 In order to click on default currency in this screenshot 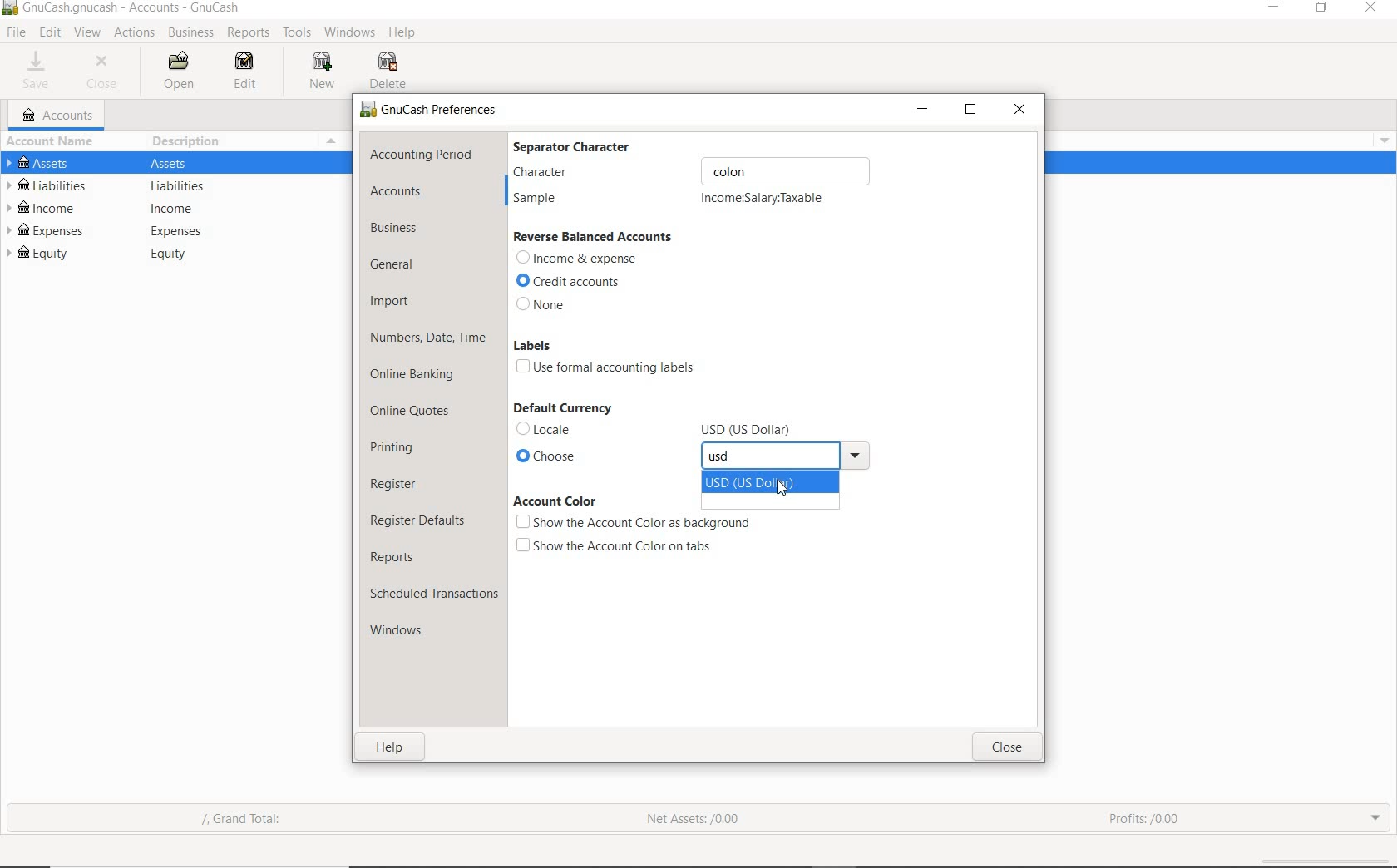, I will do `click(561, 408)`.